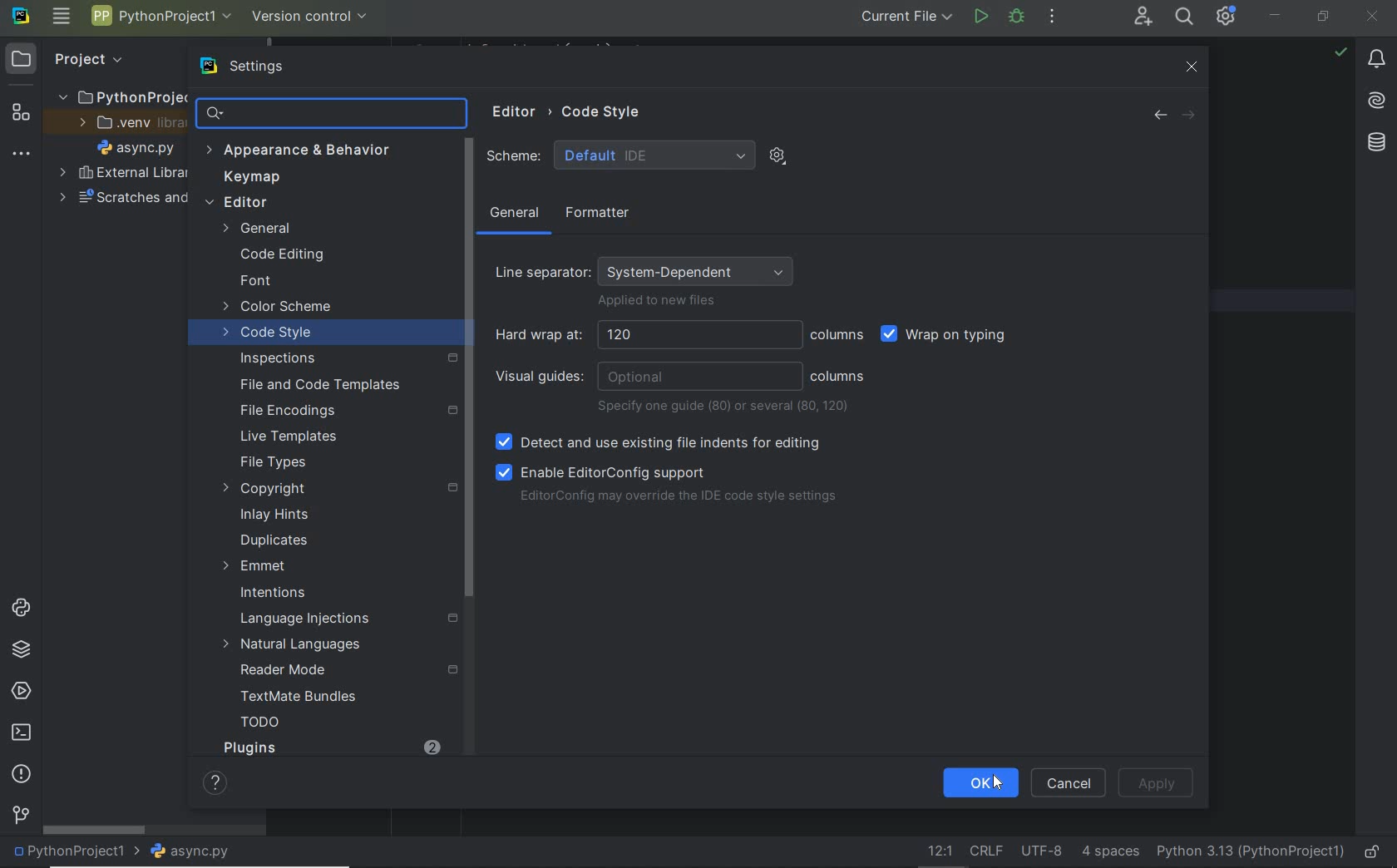  I want to click on File Encodings, so click(343, 411).